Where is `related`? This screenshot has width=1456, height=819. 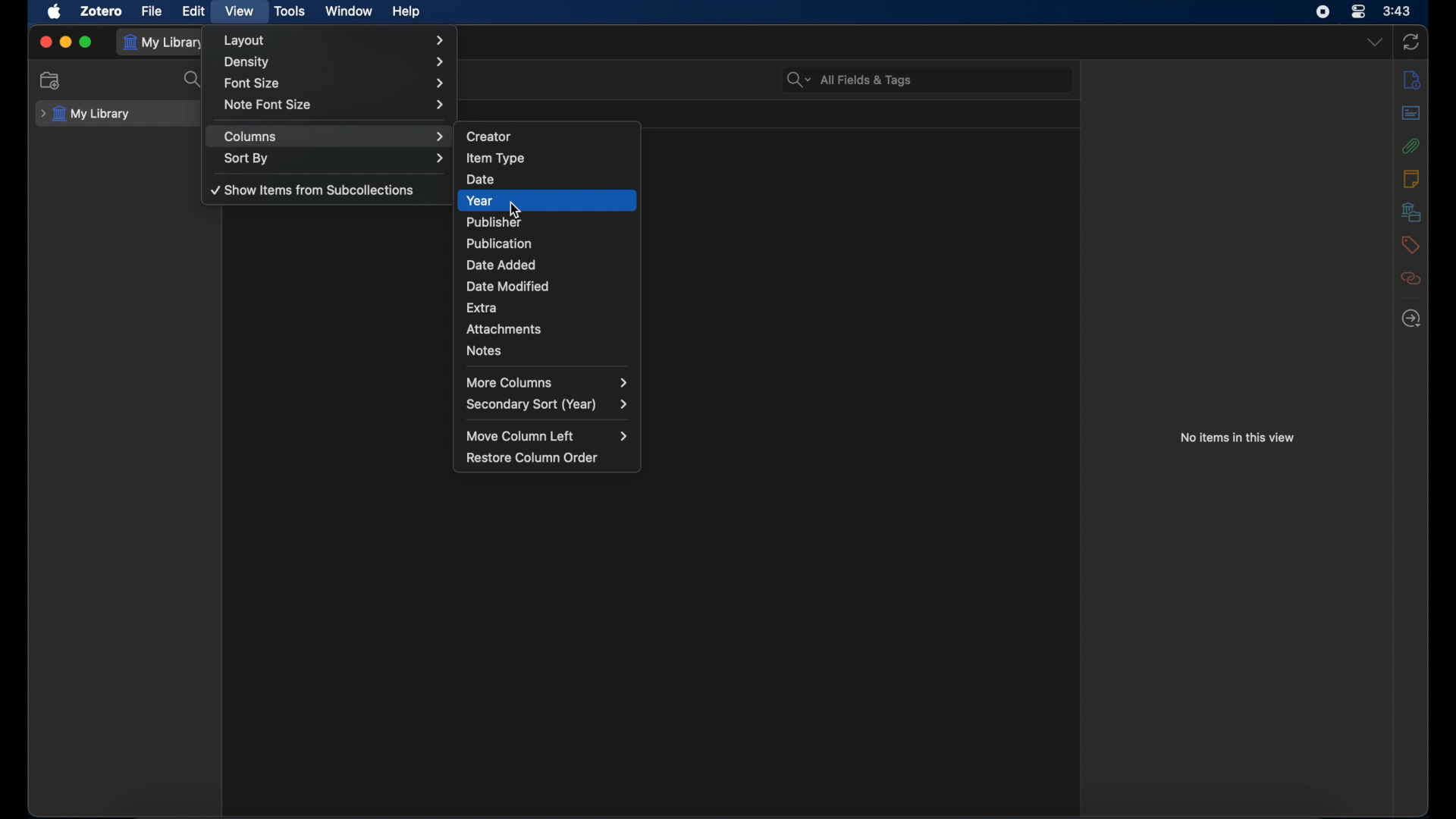 related is located at coordinates (1410, 278).